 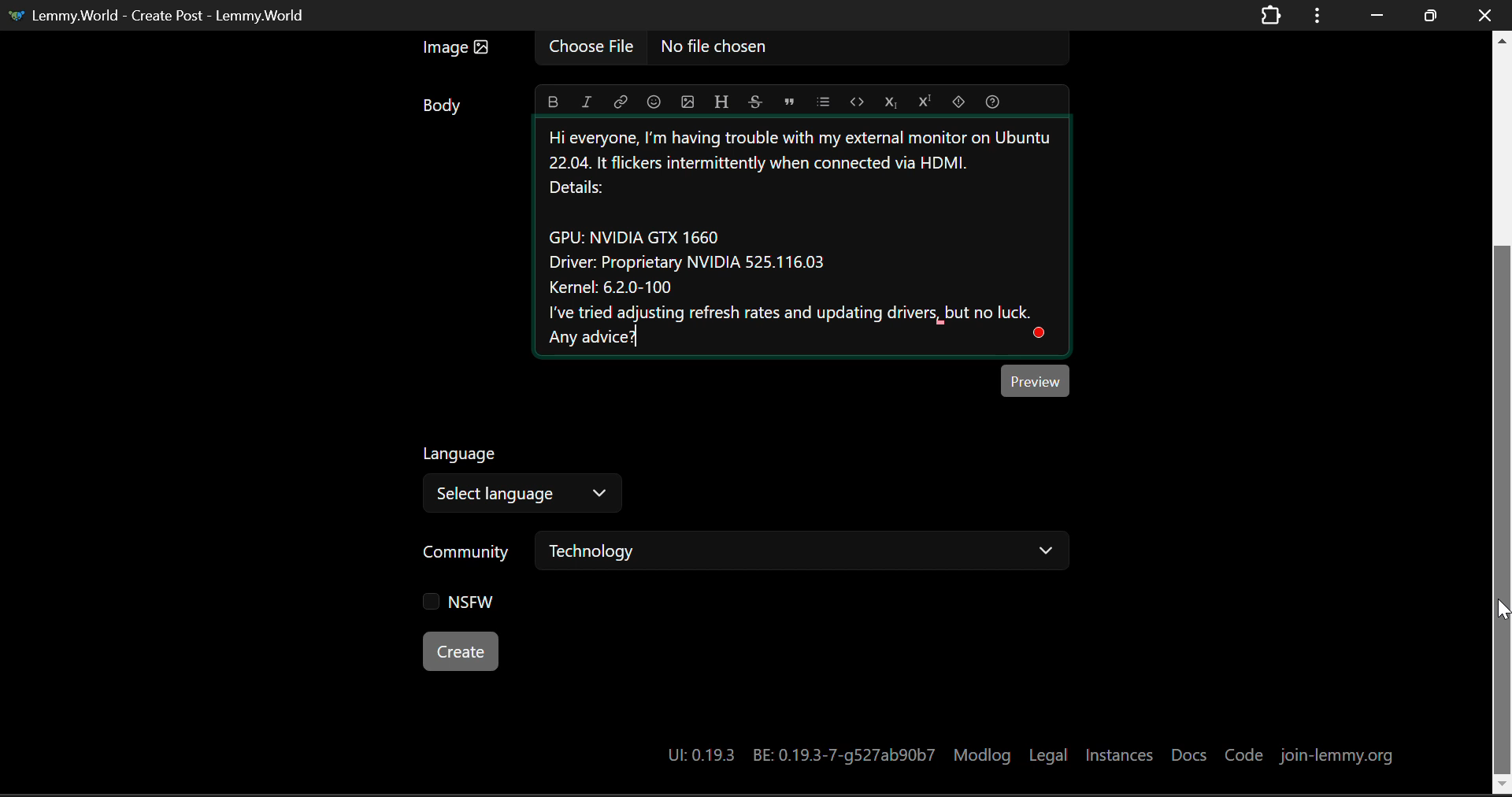 I want to click on Instances, so click(x=1119, y=754).